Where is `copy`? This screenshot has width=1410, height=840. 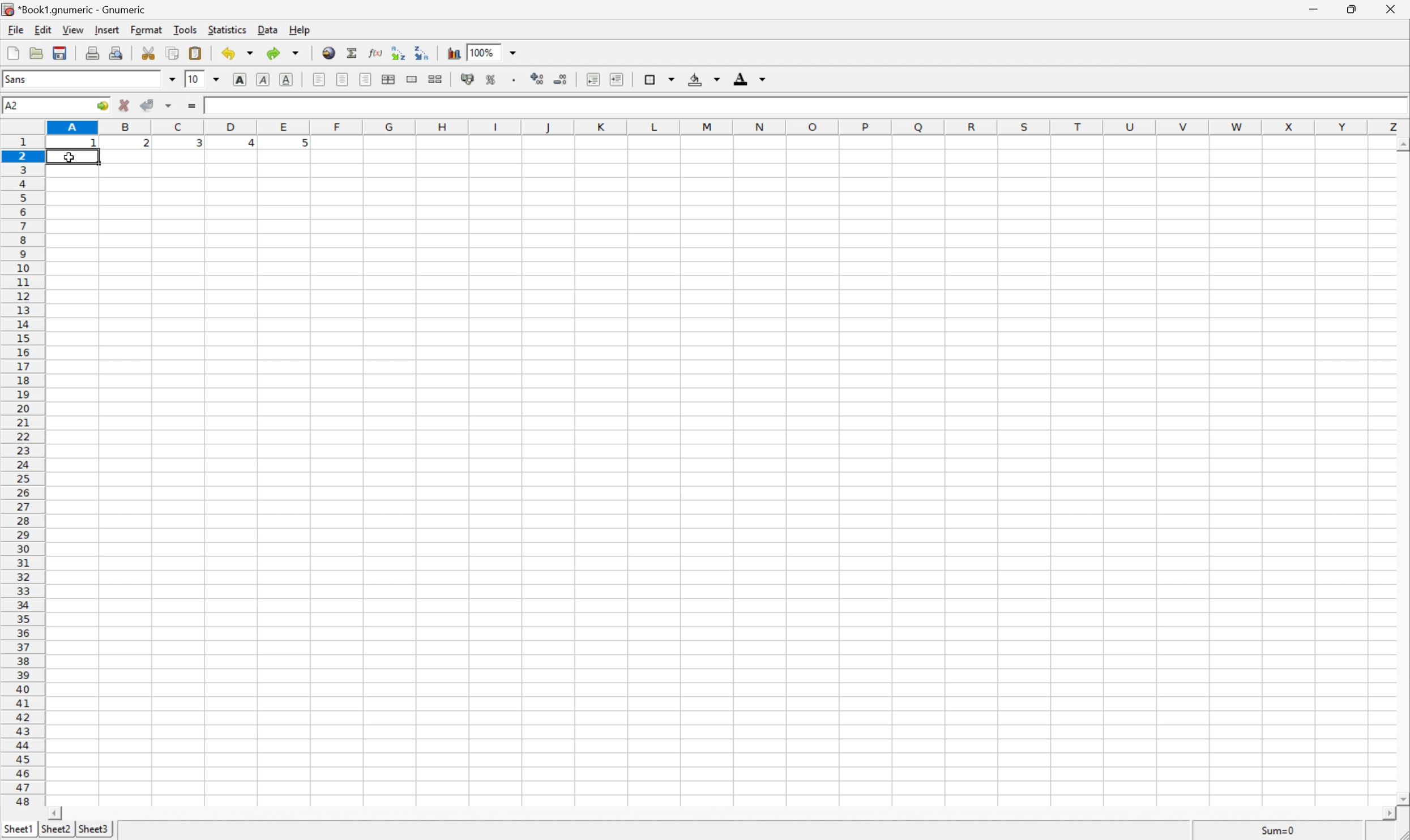
copy is located at coordinates (174, 52).